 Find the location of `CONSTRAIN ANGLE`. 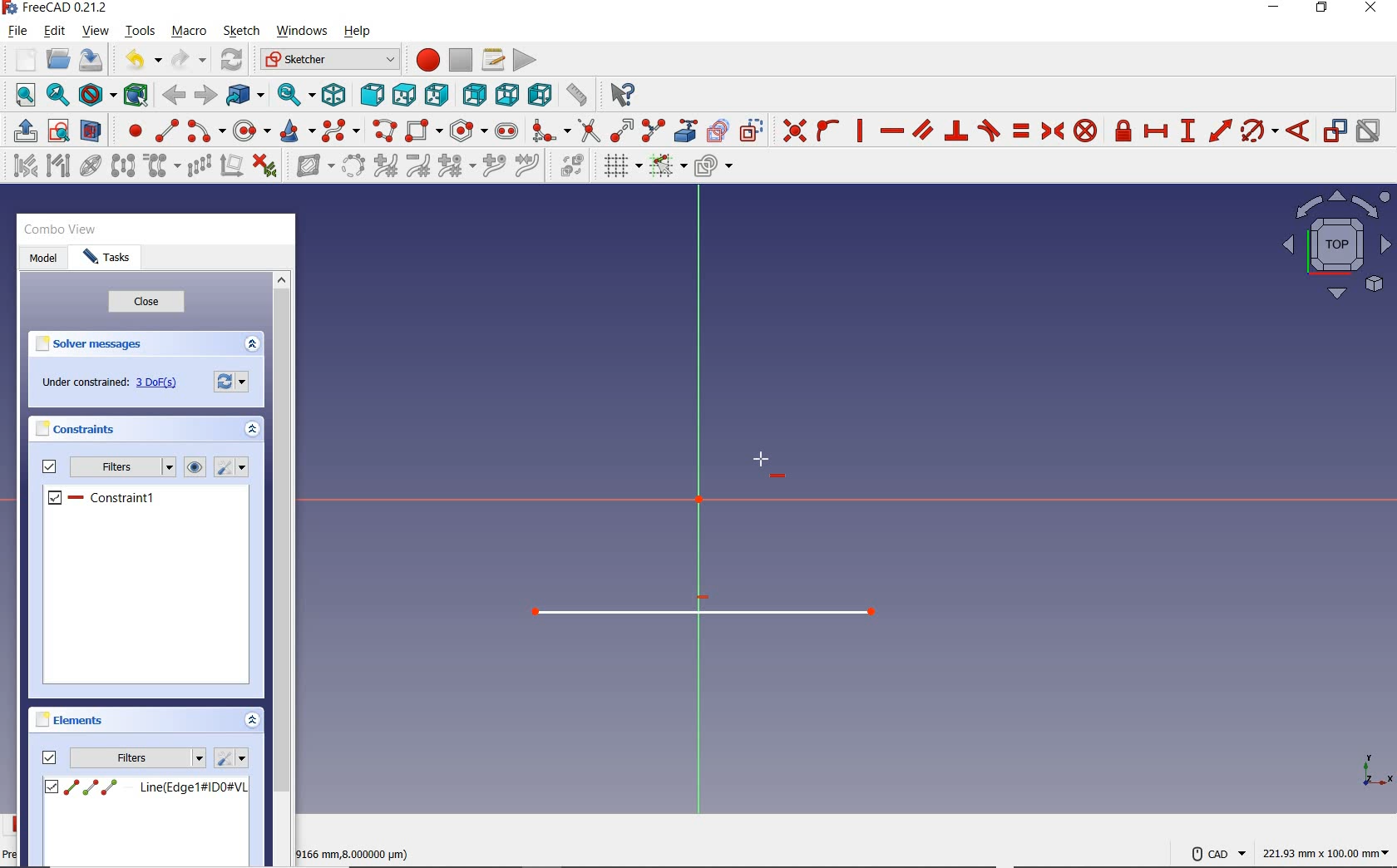

CONSTRAIN ANGLE is located at coordinates (1301, 129).